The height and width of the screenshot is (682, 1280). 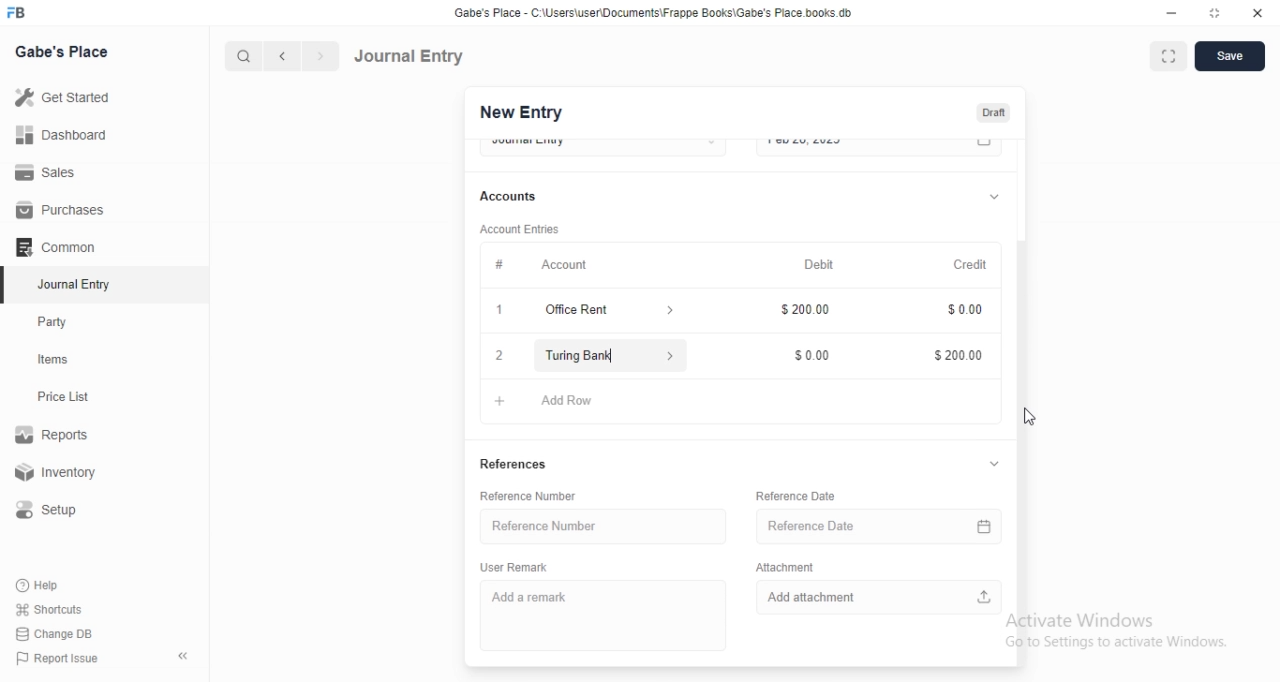 What do you see at coordinates (185, 657) in the screenshot?
I see `«` at bounding box center [185, 657].